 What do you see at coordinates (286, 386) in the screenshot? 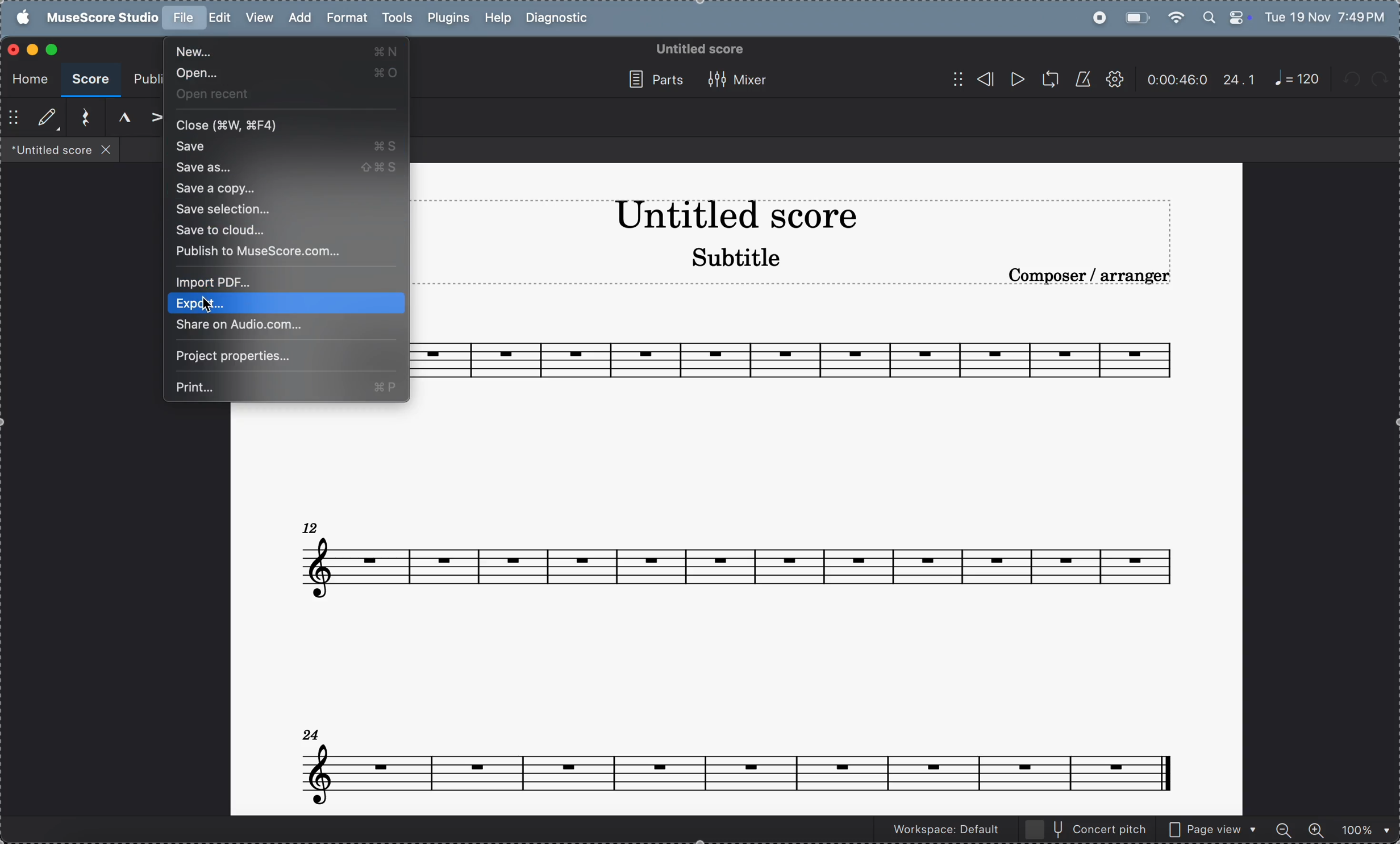
I see `print` at bounding box center [286, 386].